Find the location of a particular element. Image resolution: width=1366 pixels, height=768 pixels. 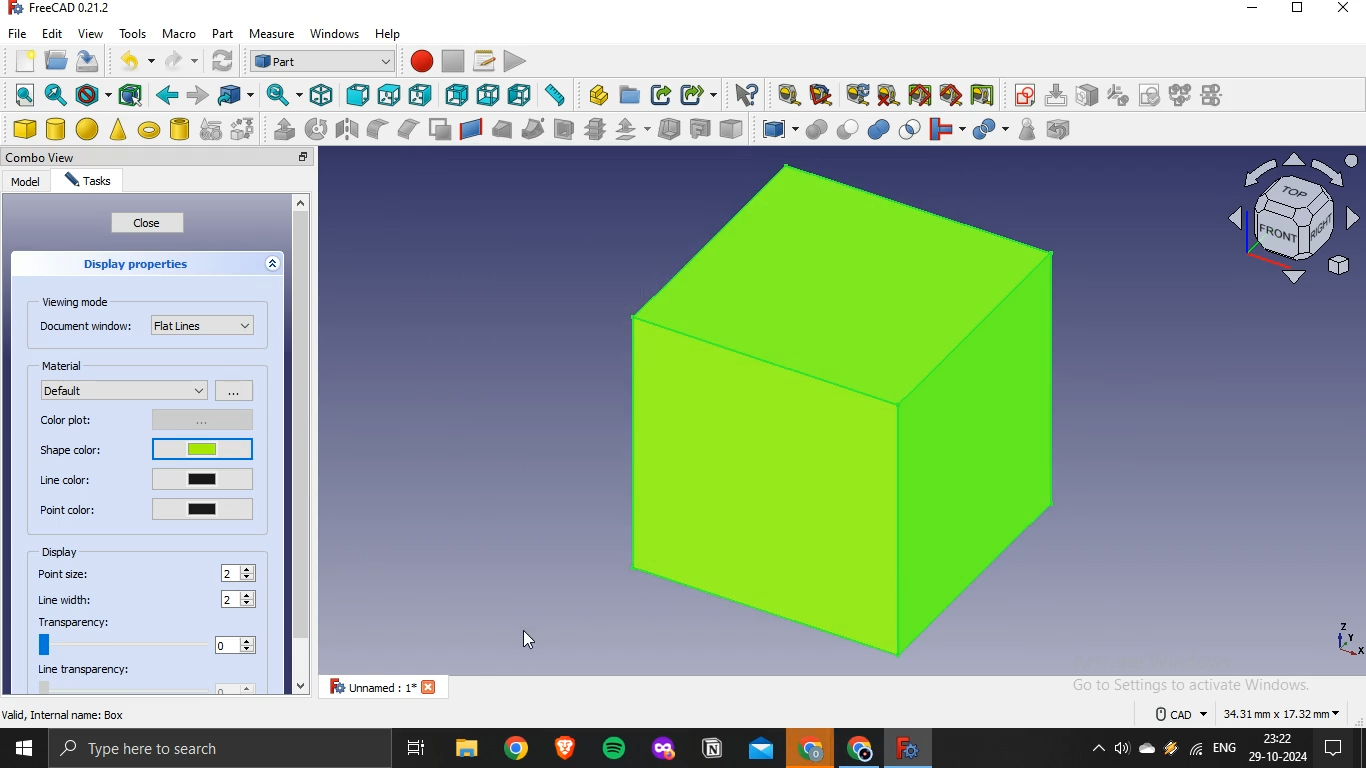

task view is located at coordinates (418, 749).